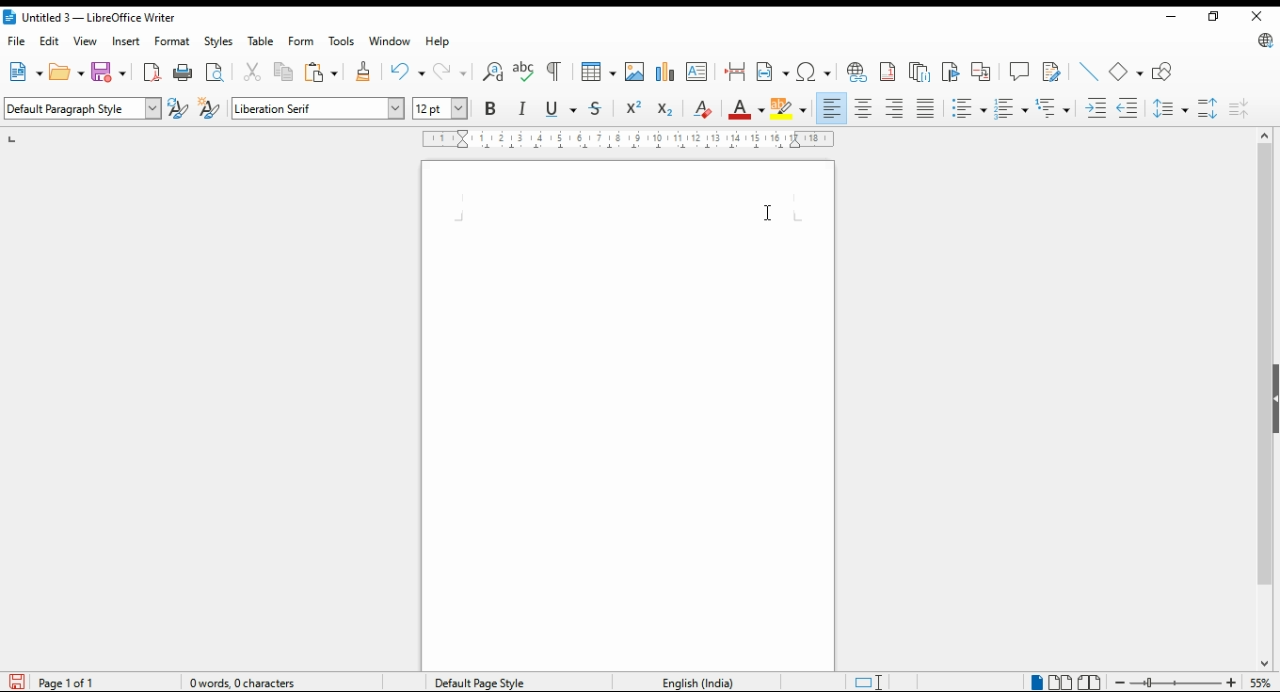 The width and height of the screenshot is (1280, 692). Describe the element at coordinates (871, 682) in the screenshot. I see `toggle cursor` at that location.